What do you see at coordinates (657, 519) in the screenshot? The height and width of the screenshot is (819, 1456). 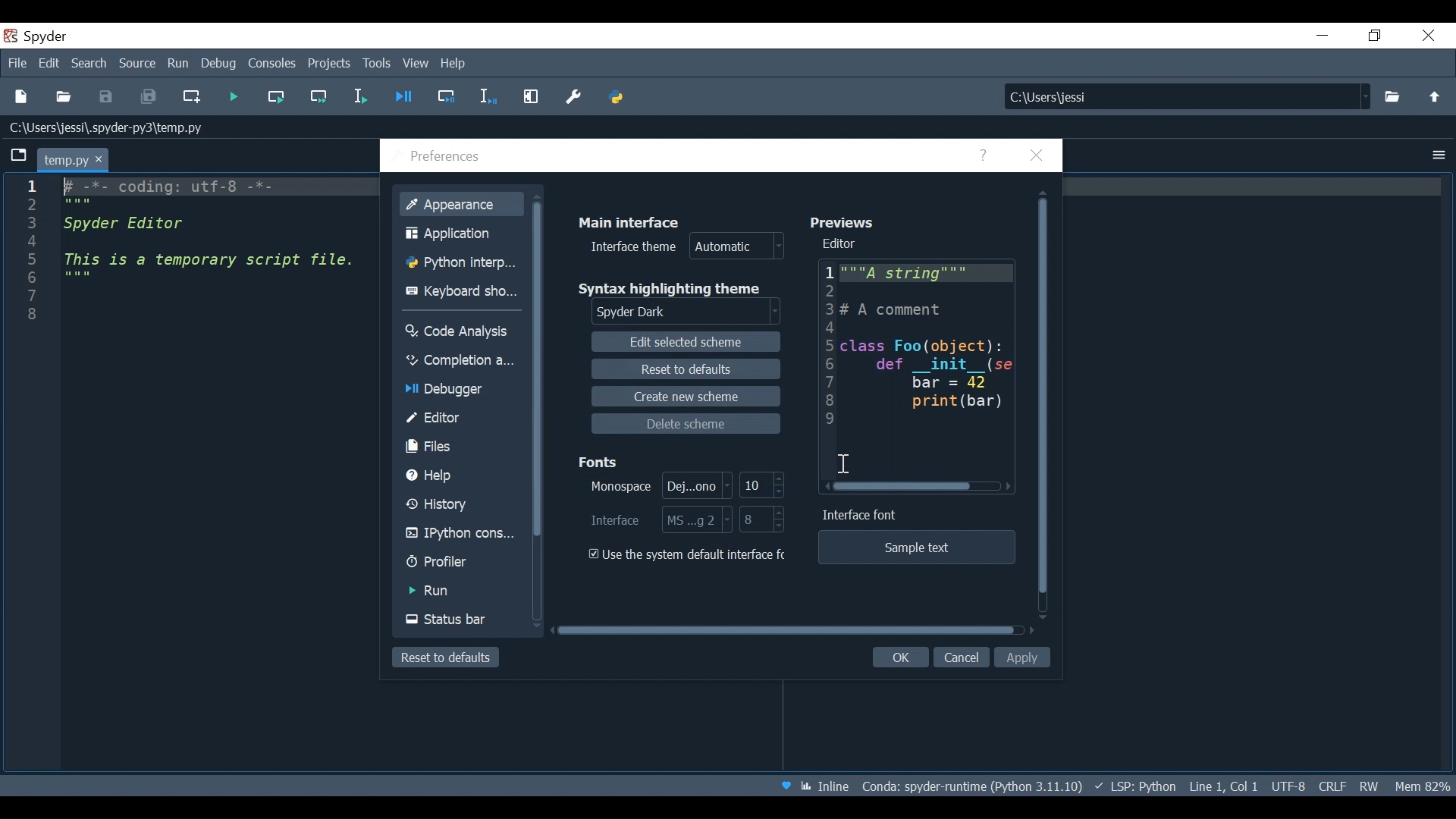 I see `Interface fonts` at bounding box center [657, 519].